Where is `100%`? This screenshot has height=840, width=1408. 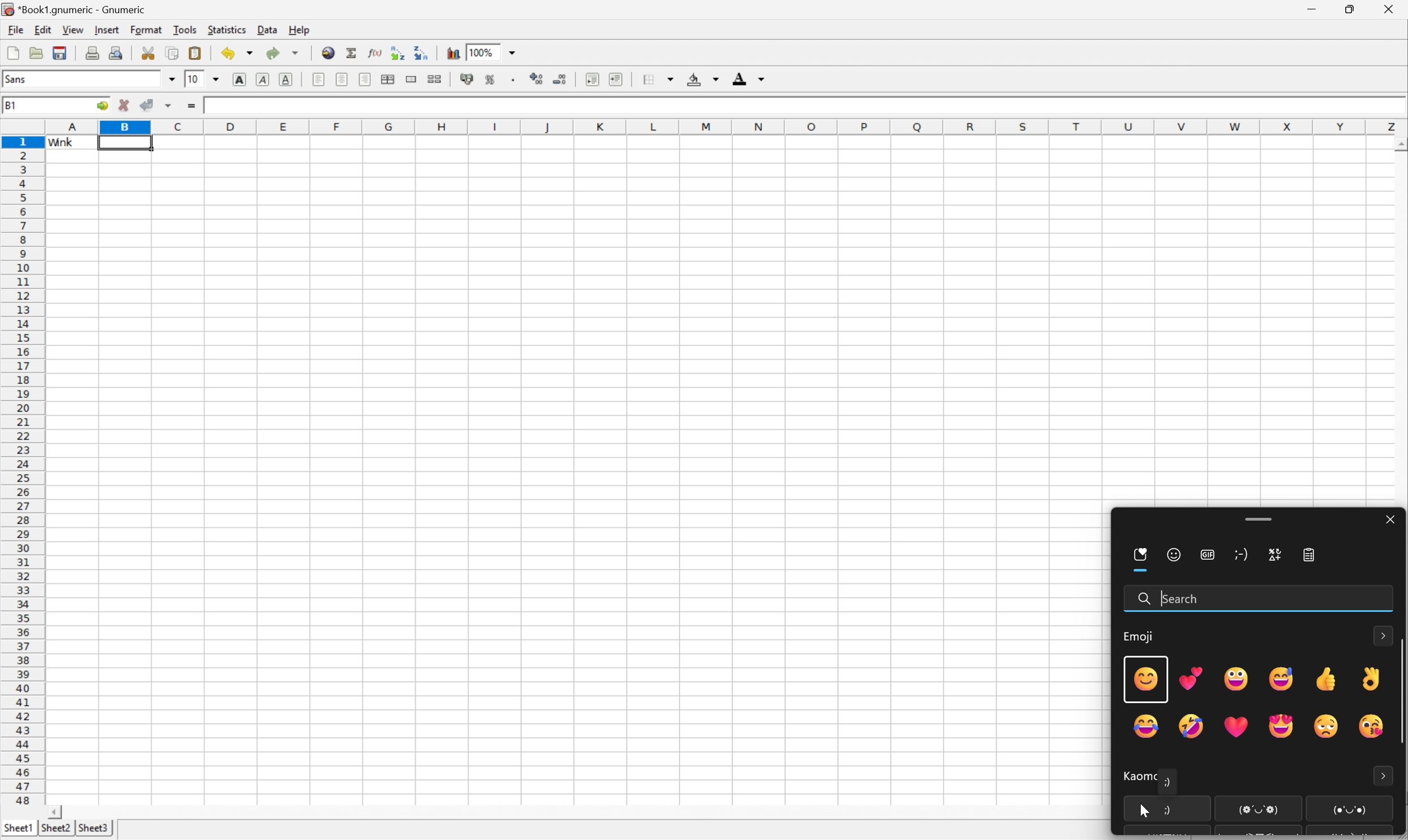 100% is located at coordinates (483, 52).